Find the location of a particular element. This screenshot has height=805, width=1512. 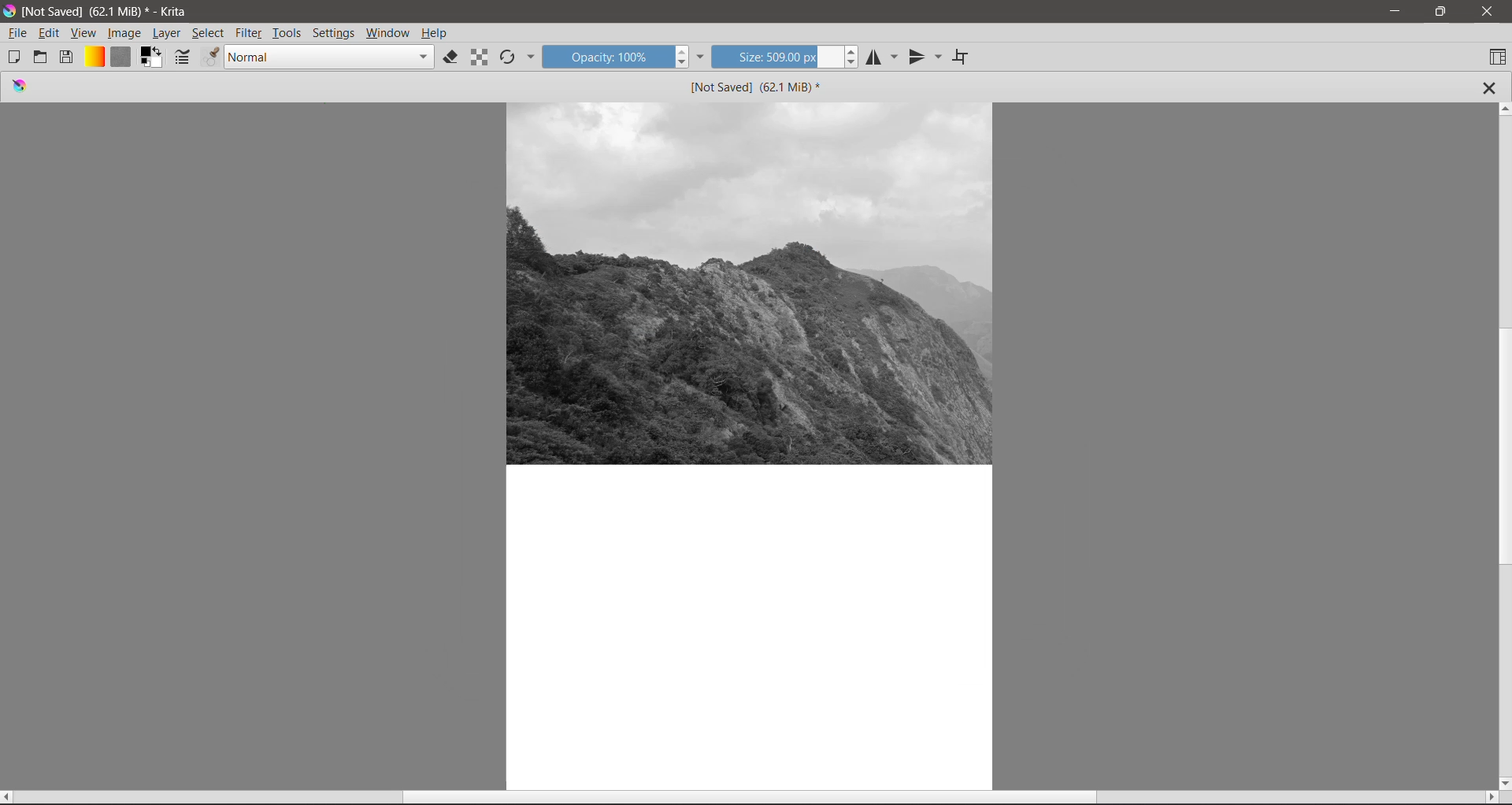

Fill Patterns is located at coordinates (120, 57).